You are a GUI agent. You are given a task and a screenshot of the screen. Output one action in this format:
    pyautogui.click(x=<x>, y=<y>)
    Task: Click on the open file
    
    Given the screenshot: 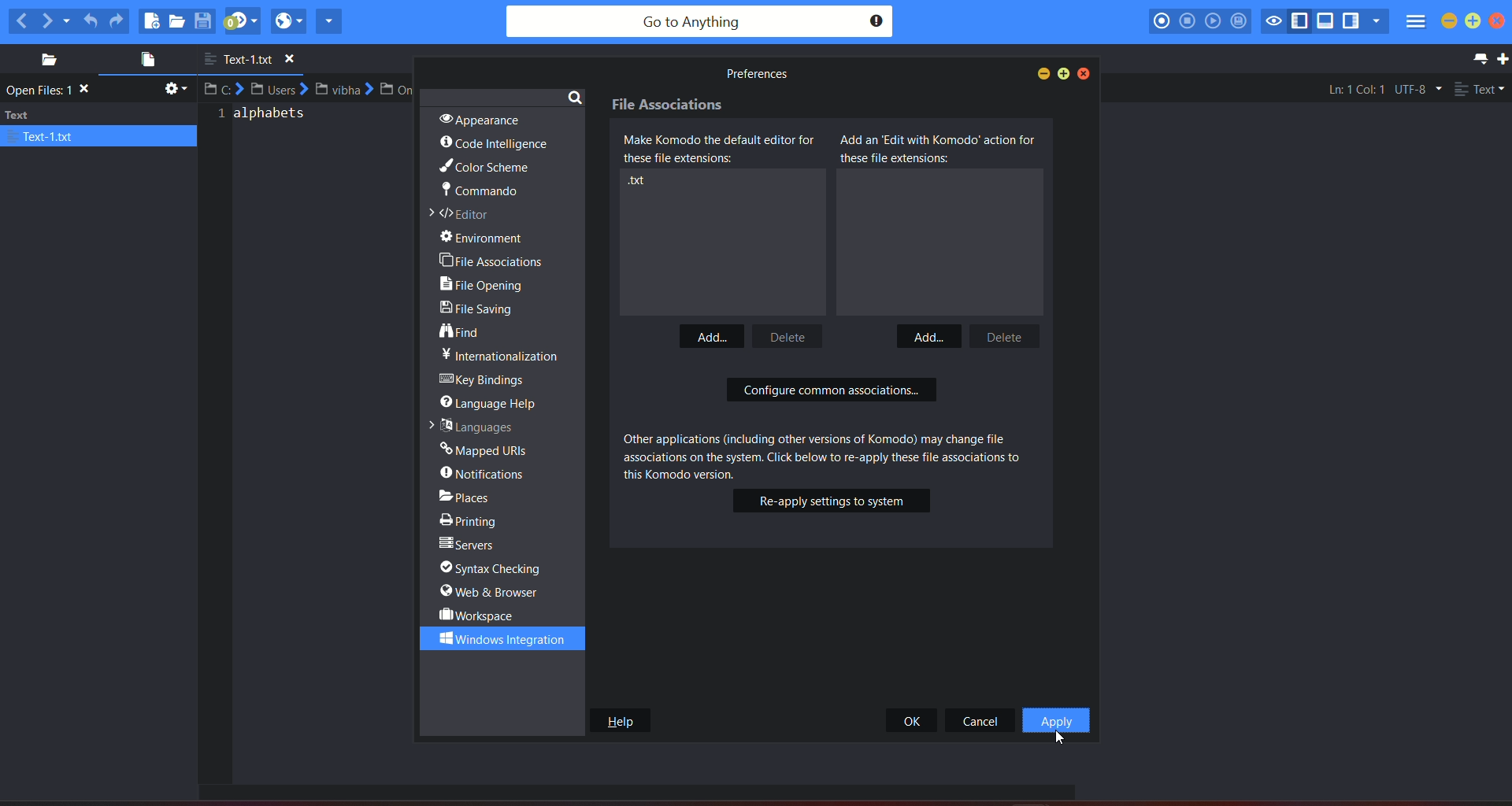 What is the action you would take?
    pyautogui.click(x=143, y=61)
    